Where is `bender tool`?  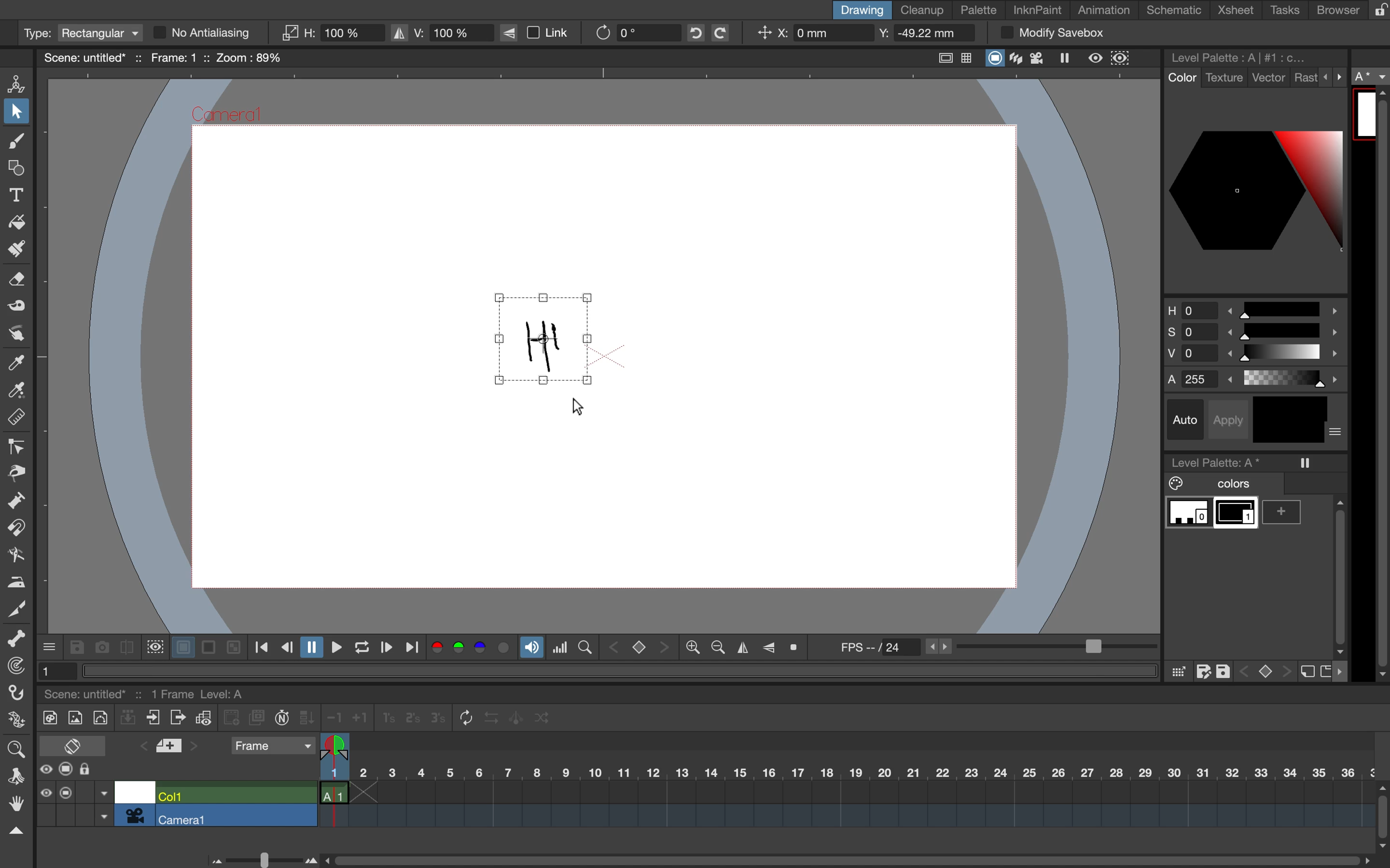 bender tool is located at coordinates (13, 555).